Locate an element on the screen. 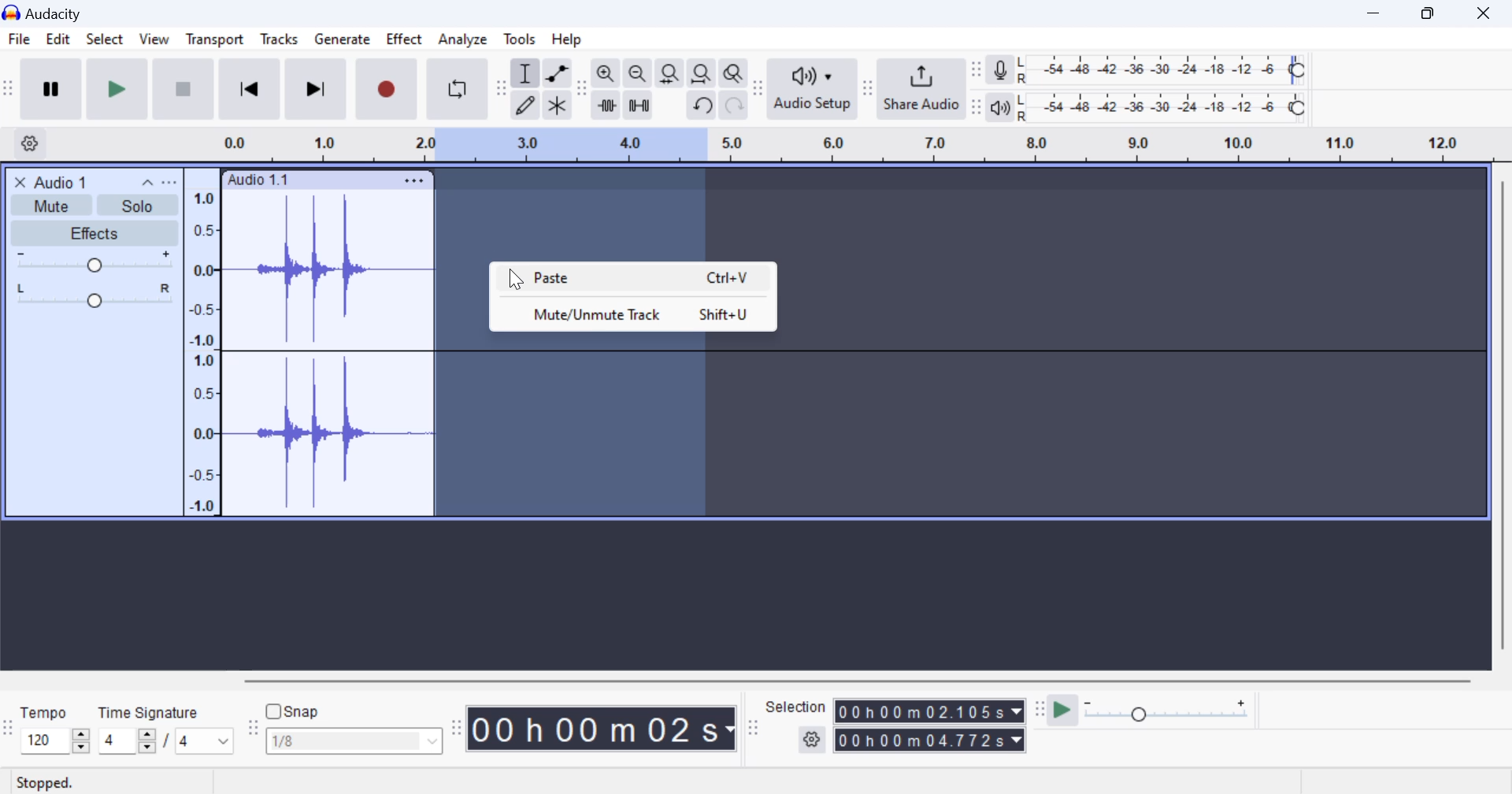 The width and height of the screenshot is (1512, 794). Stop is located at coordinates (185, 88).